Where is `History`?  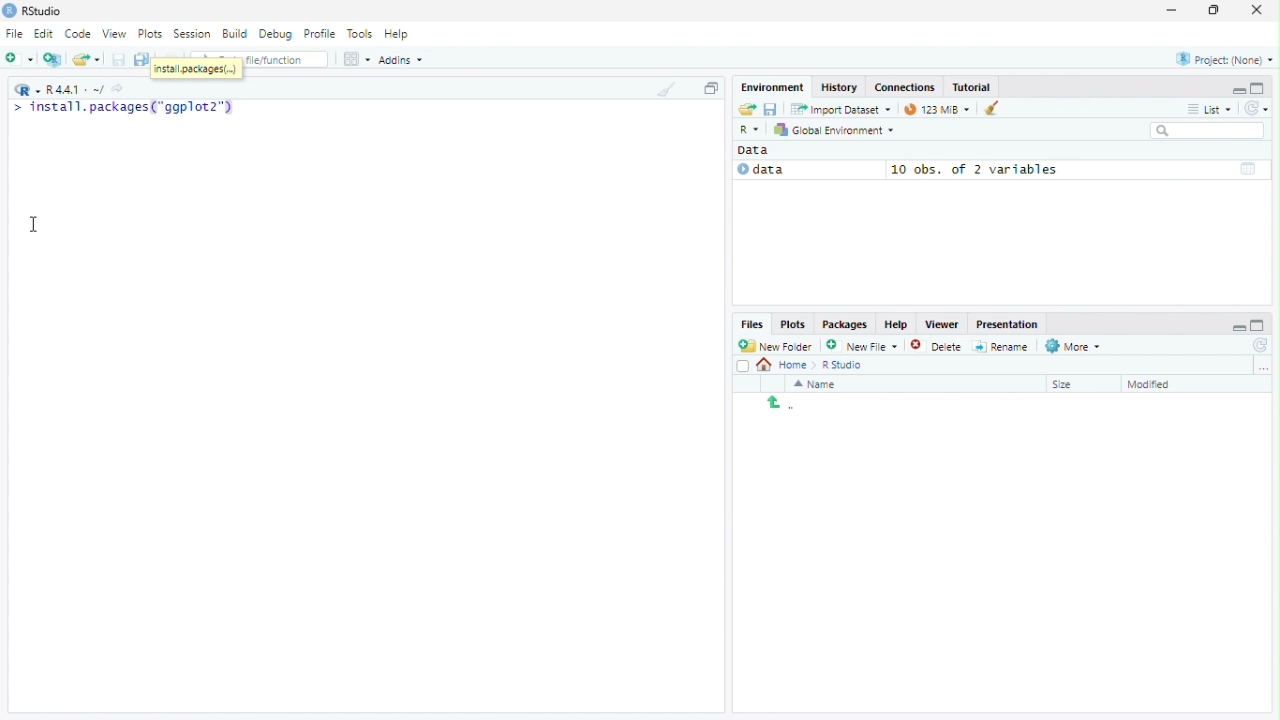 History is located at coordinates (837, 87).